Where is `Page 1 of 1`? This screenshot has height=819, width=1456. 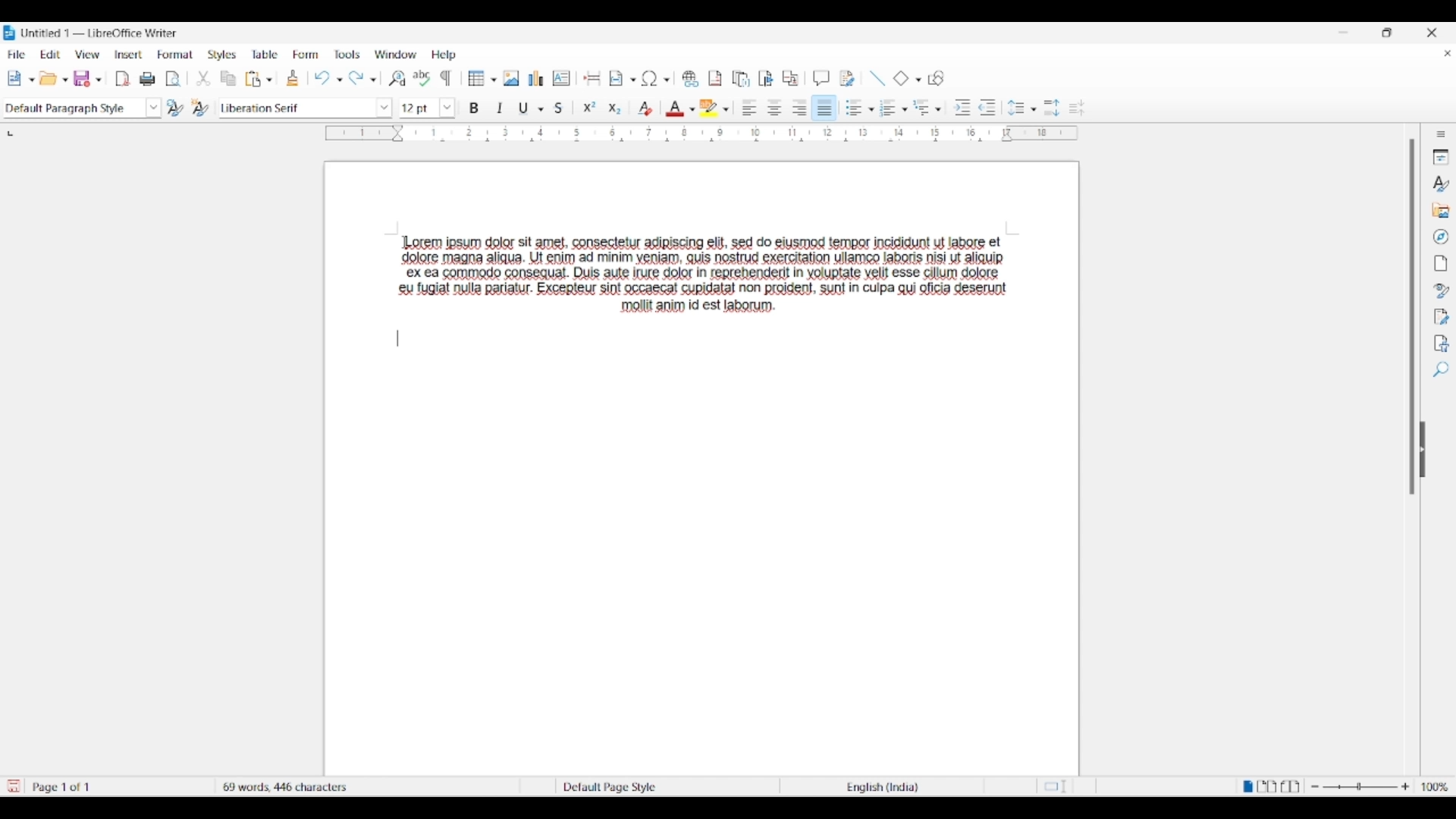 Page 1 of 1 is located at coordinates (64, 787).